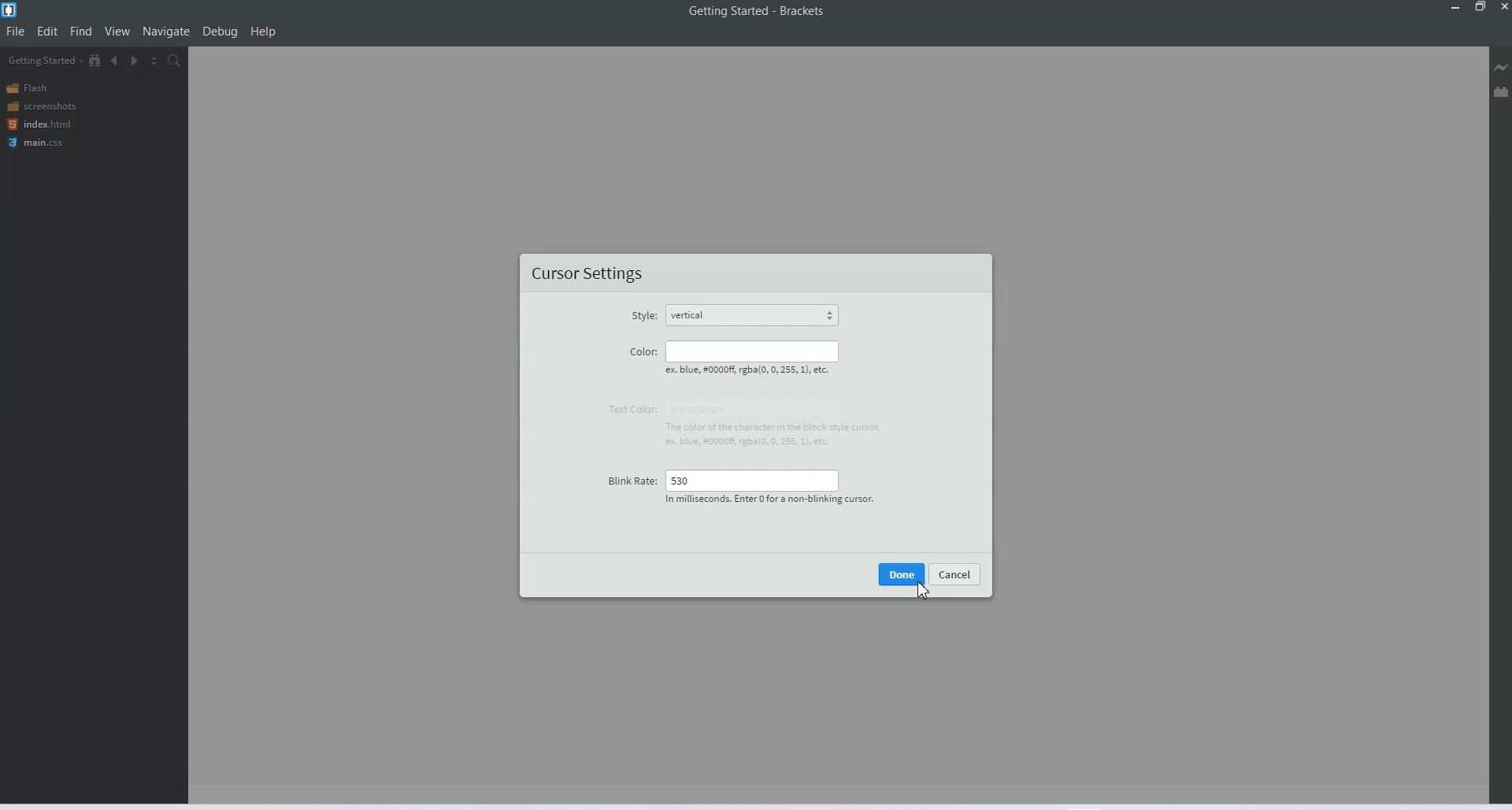 This screenshot has height=810, width=1512. What do you see at coordinates (917, 589) in the screenshot?
I see `Cursor` at bounding box center [917, 589].